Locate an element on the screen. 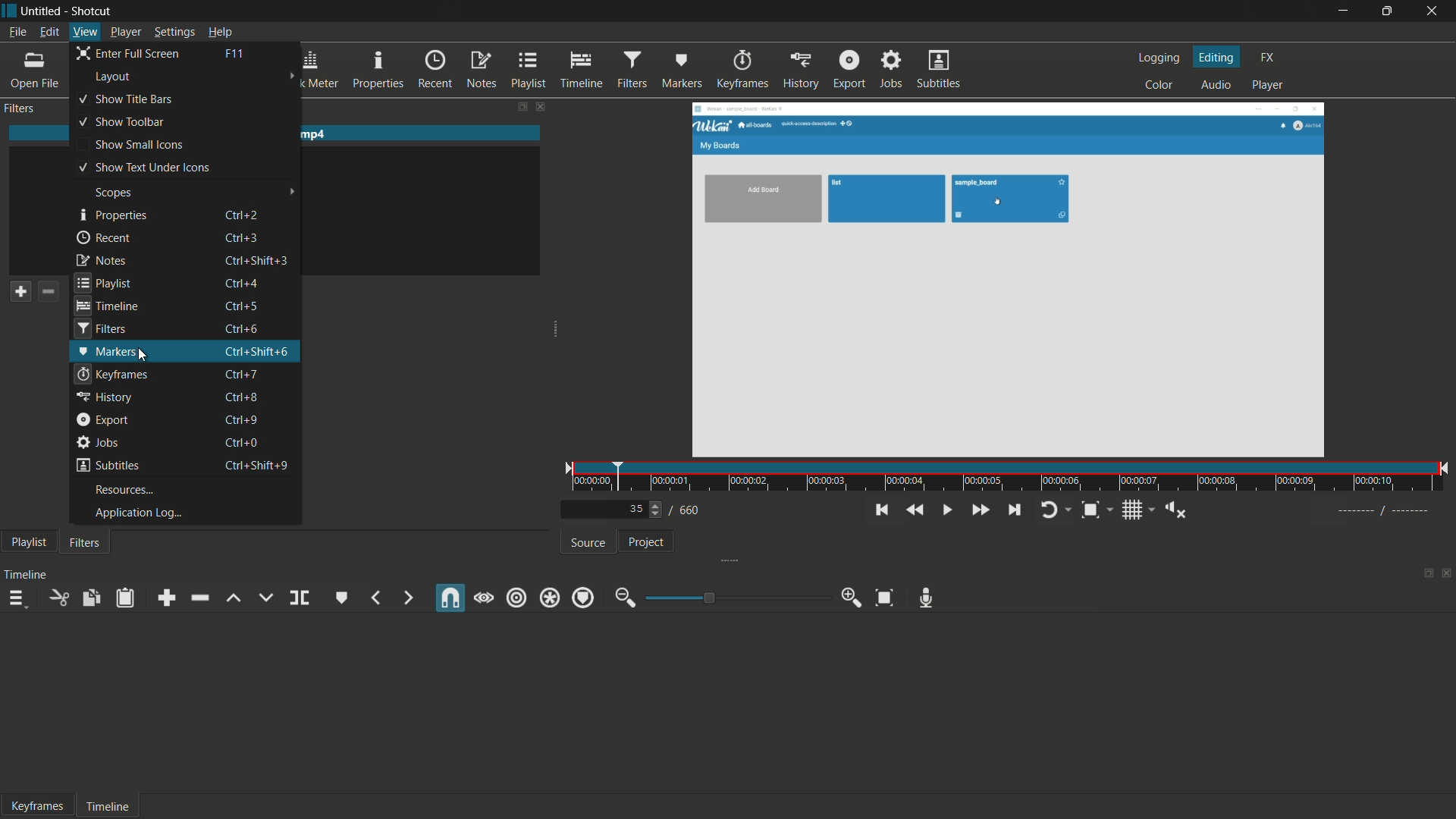 The height and width of the screenshot is (819, 1456). split at playhead is located at coordinates (299, 598).